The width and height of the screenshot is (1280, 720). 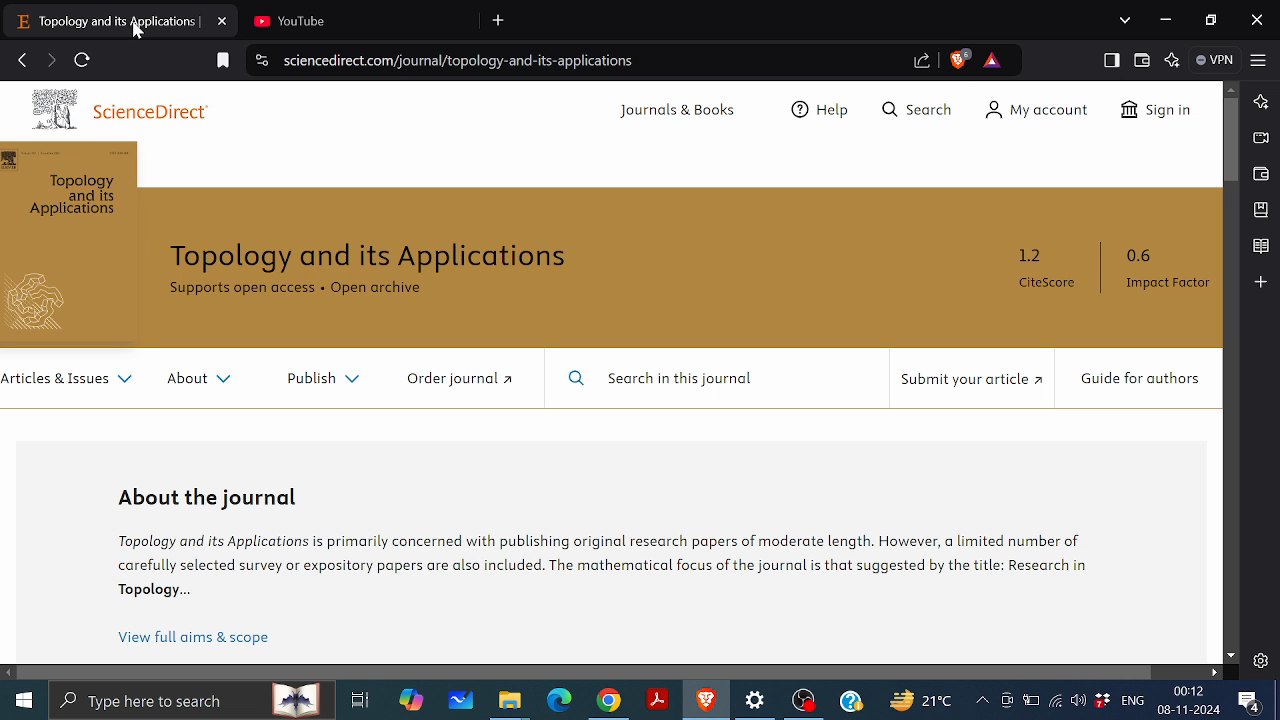 What do you see at coordinates (1112, 60) in the screenshot?
I see `Show sidebar` at bounding box center [1112, 60].